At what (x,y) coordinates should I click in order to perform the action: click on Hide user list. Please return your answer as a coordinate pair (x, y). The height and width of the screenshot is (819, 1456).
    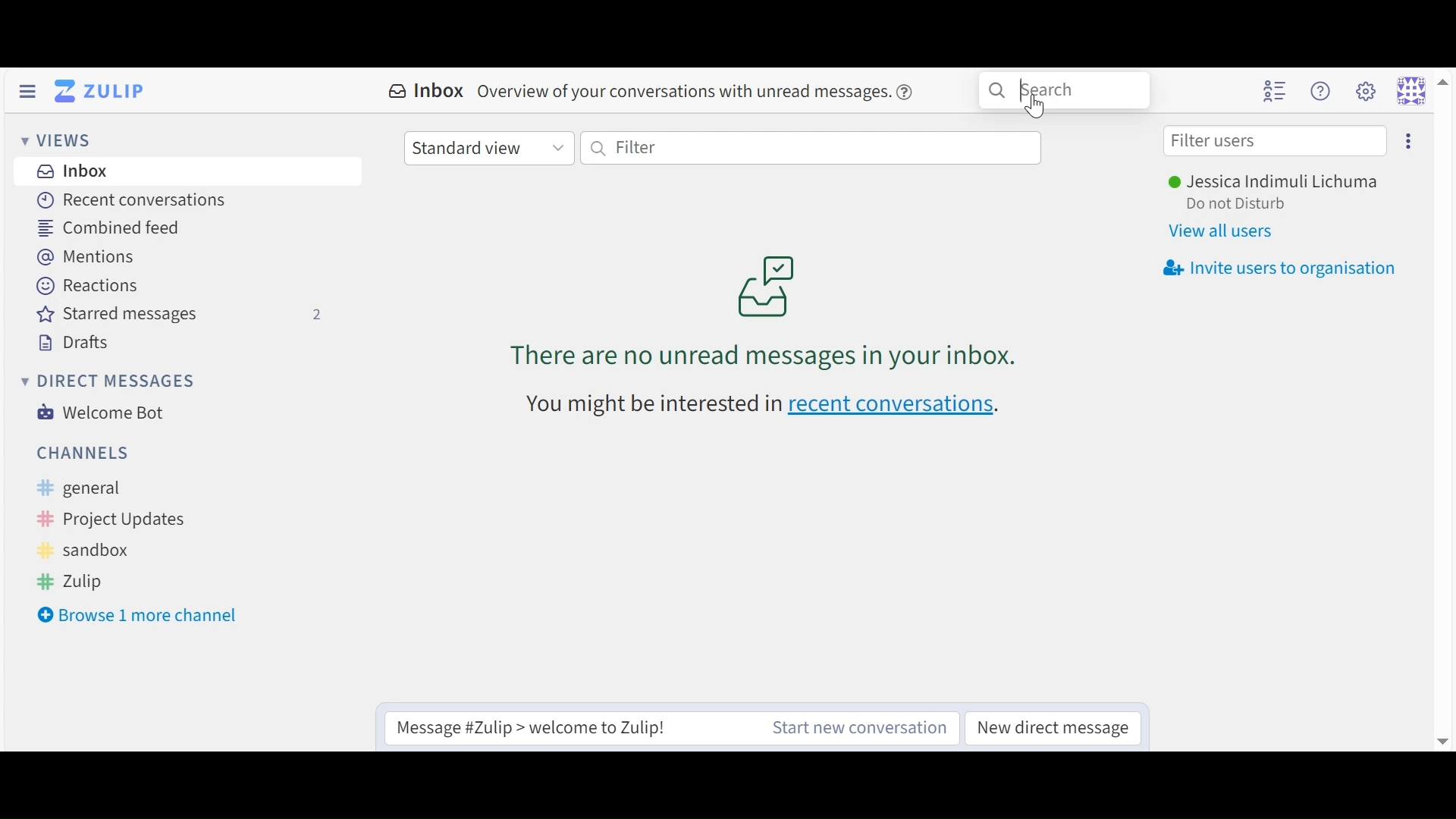
    Looking at the image, I should click on (1277, 91).